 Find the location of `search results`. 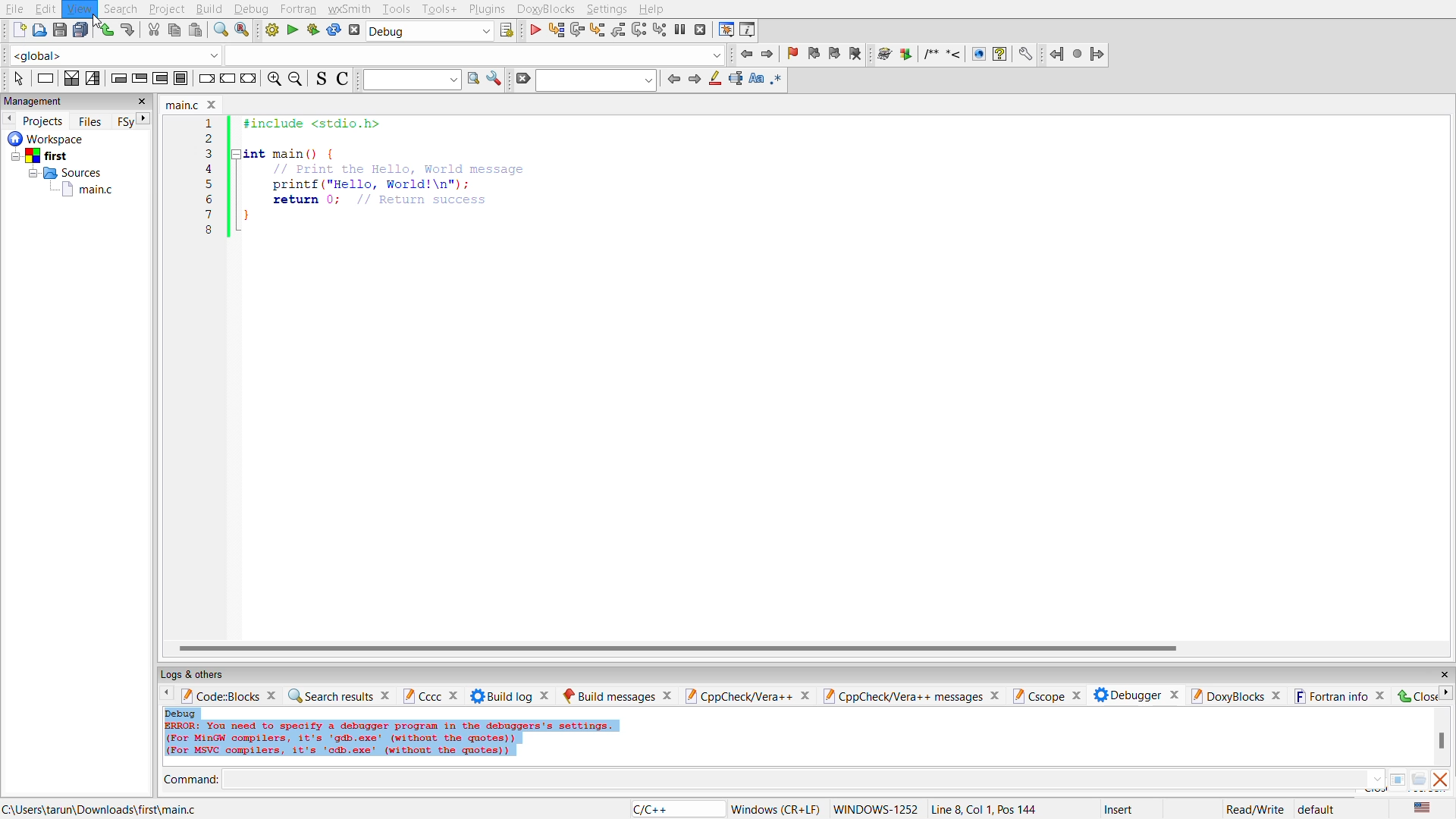

search results is located at coordinates (337, 693).